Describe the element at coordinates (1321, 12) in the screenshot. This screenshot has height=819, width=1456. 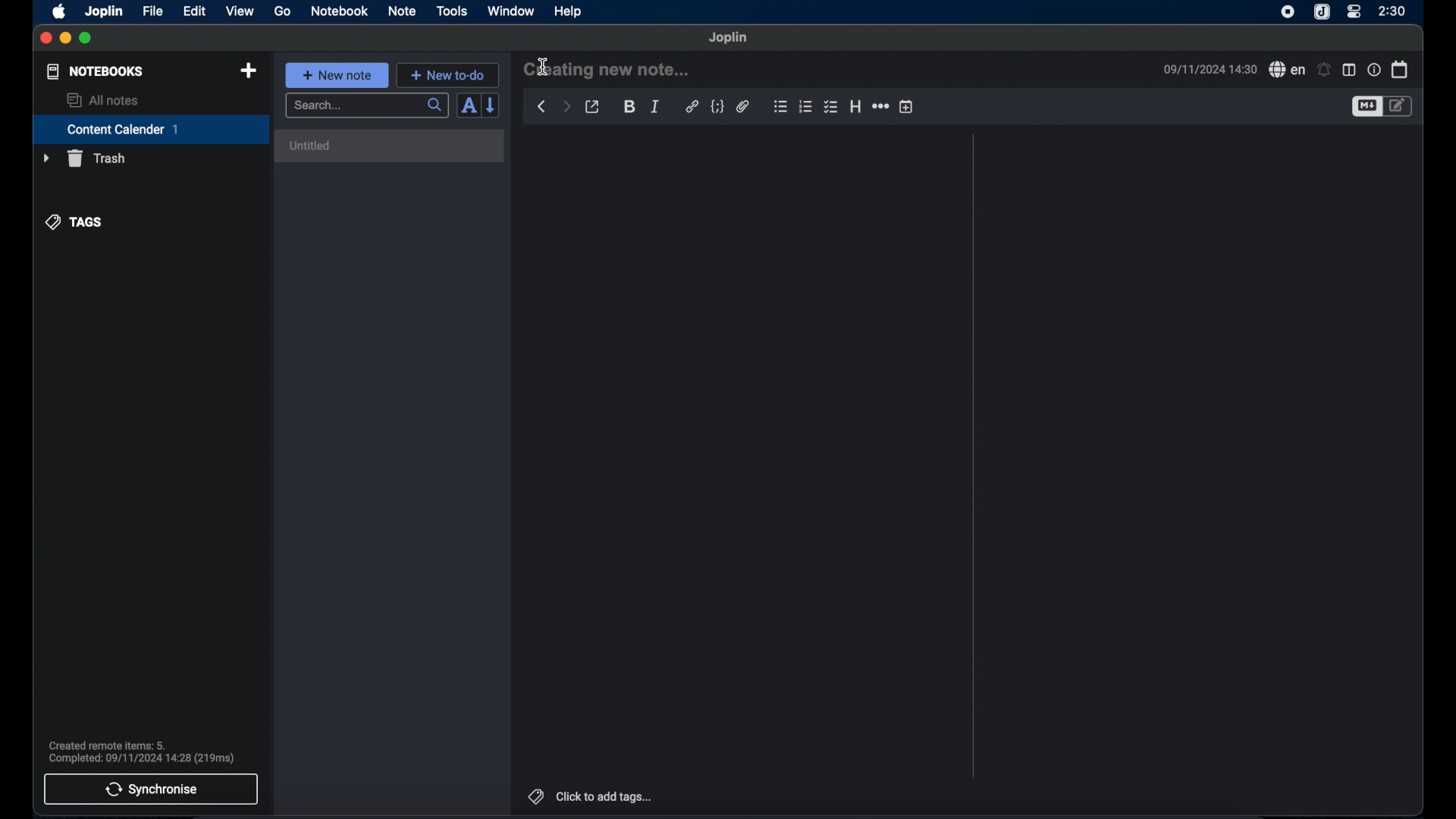
I see `joplin icon` at that location.